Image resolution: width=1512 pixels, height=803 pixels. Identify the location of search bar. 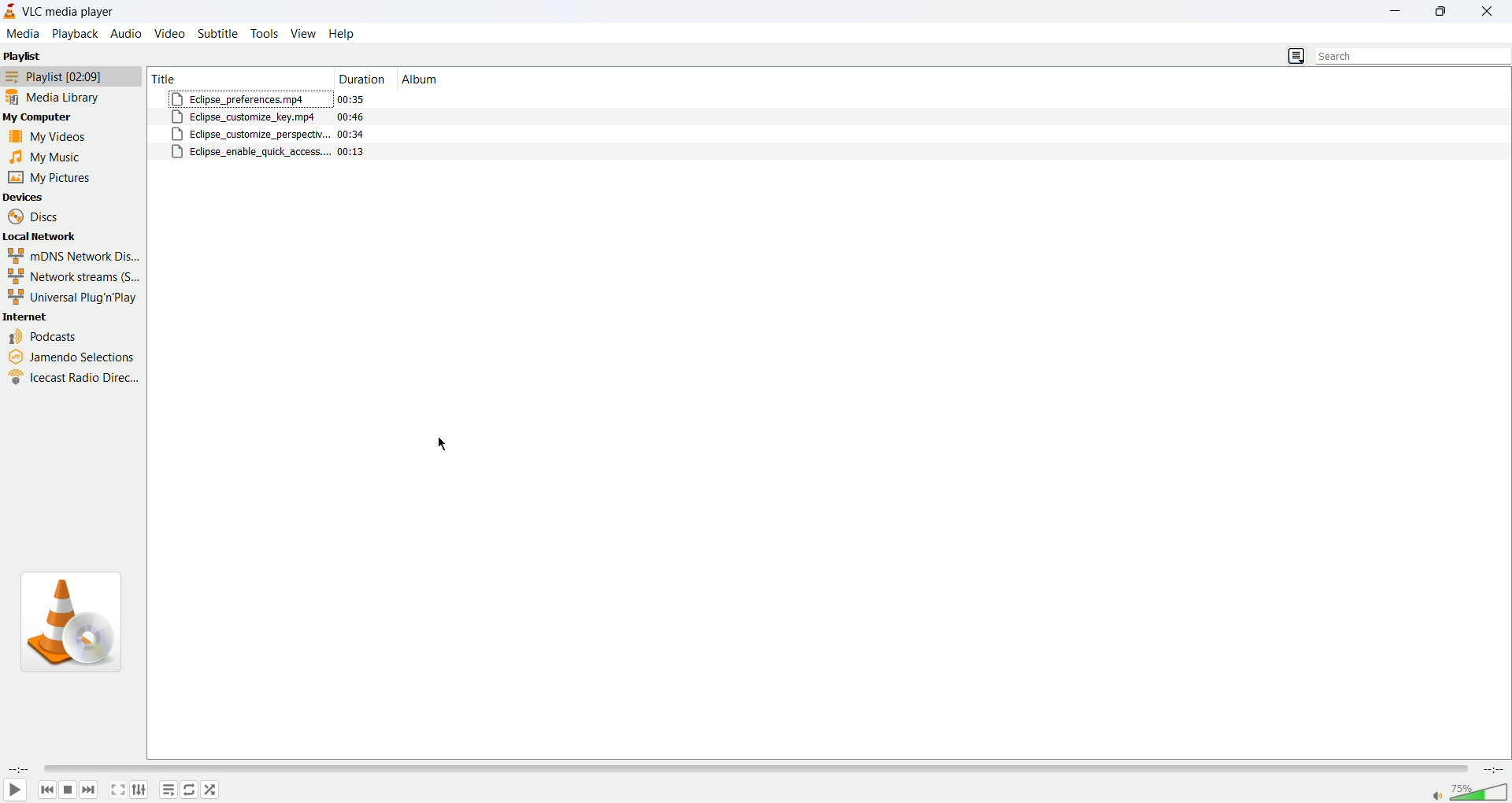
(1412, 54).